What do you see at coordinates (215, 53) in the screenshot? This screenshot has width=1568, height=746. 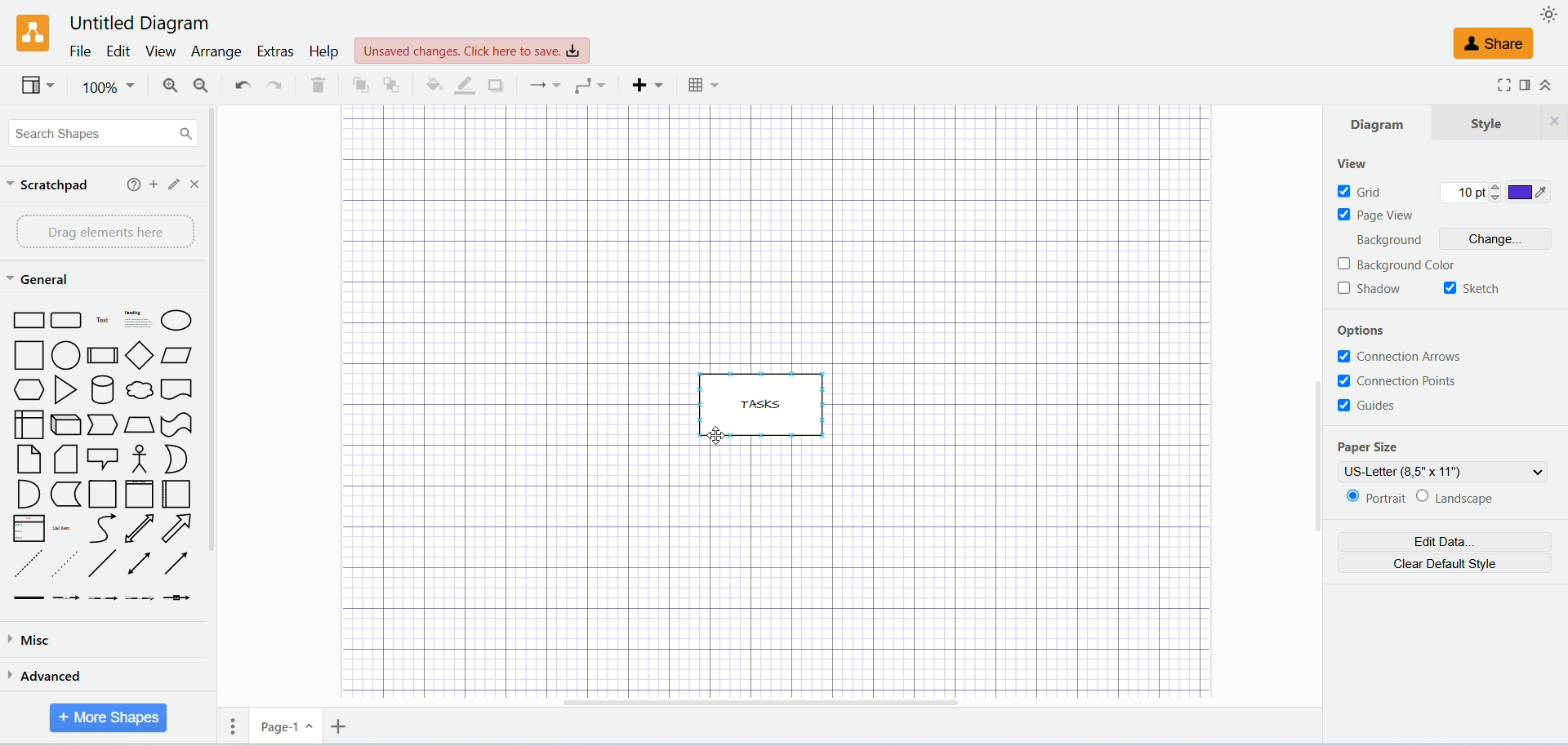 I see `arrange` at bounding box center [215, 53].